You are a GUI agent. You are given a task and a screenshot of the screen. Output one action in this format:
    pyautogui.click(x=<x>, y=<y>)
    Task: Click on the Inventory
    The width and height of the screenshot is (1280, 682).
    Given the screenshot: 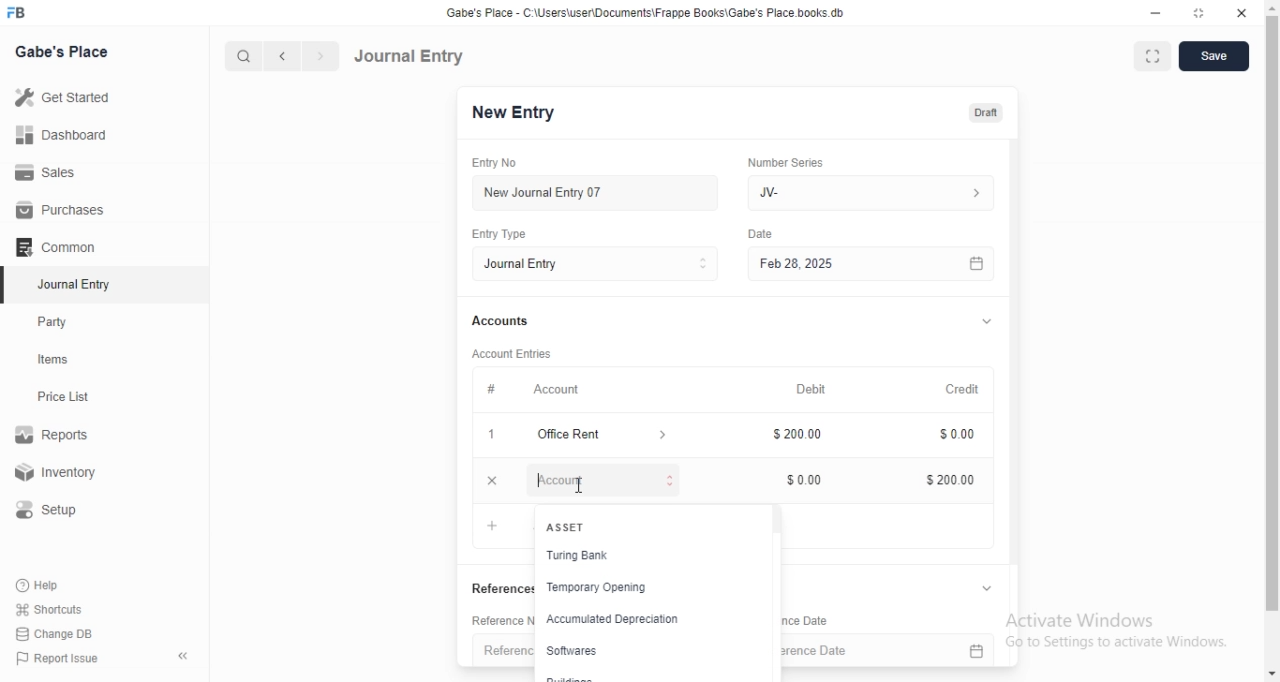 What is the action you would take?
    pyautogui.click(x=59, y=474)
    